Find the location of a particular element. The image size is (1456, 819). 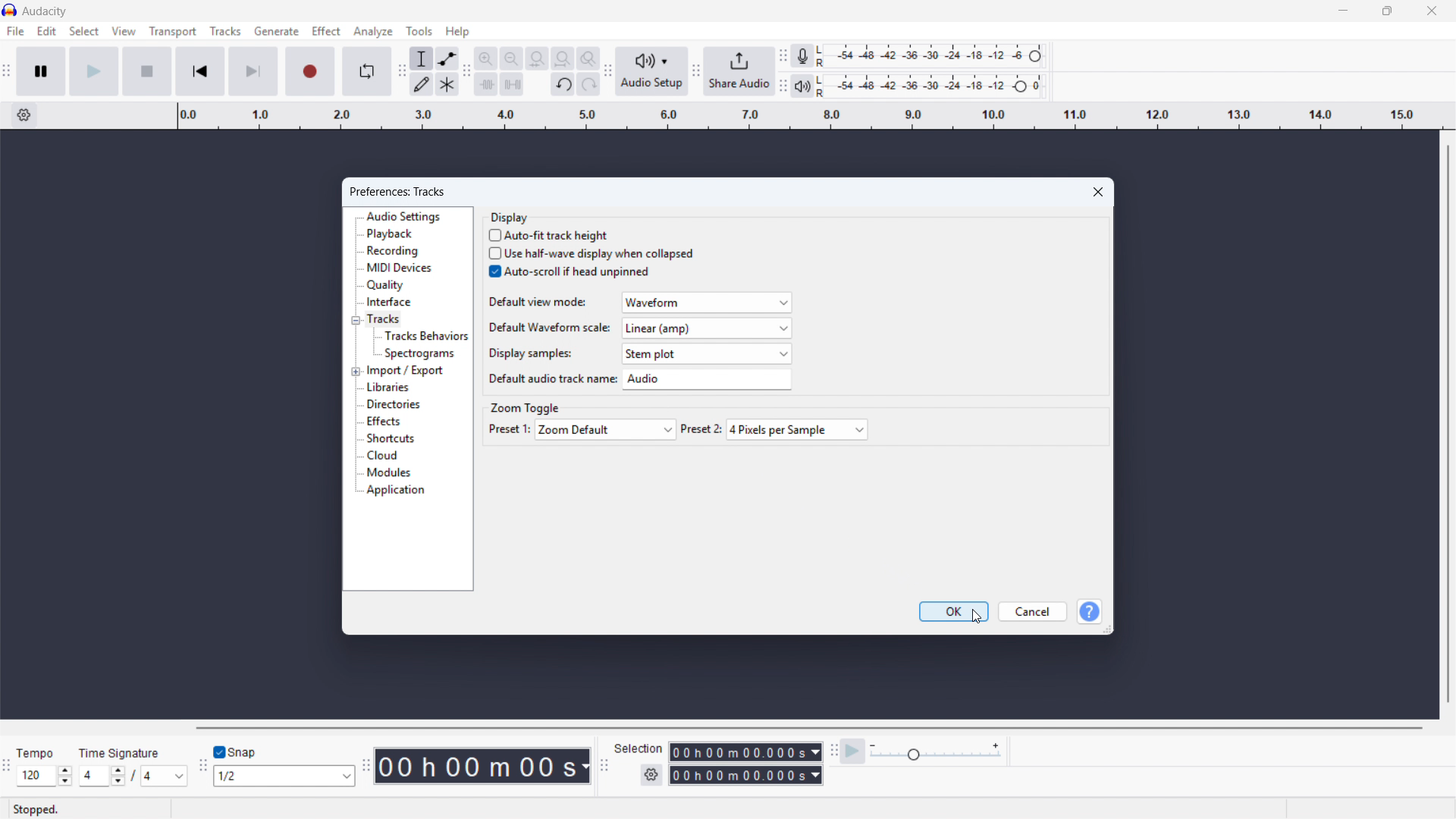

timeline is located at coordinates (808, 116).